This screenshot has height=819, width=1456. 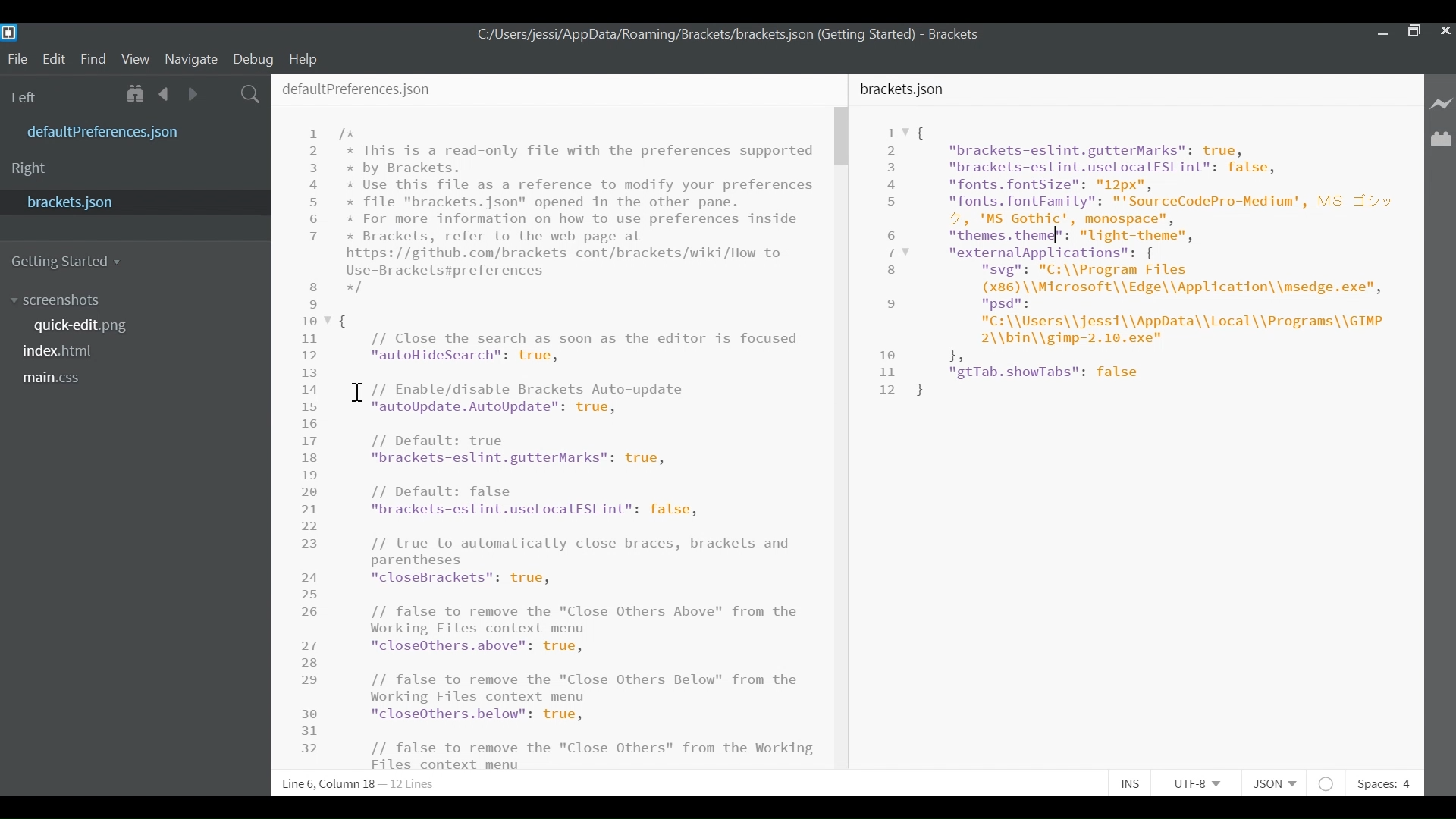 What do you see at coordinates (256, 58) in the screenshot?
I see `Debug` at bounding box center [256, 58].